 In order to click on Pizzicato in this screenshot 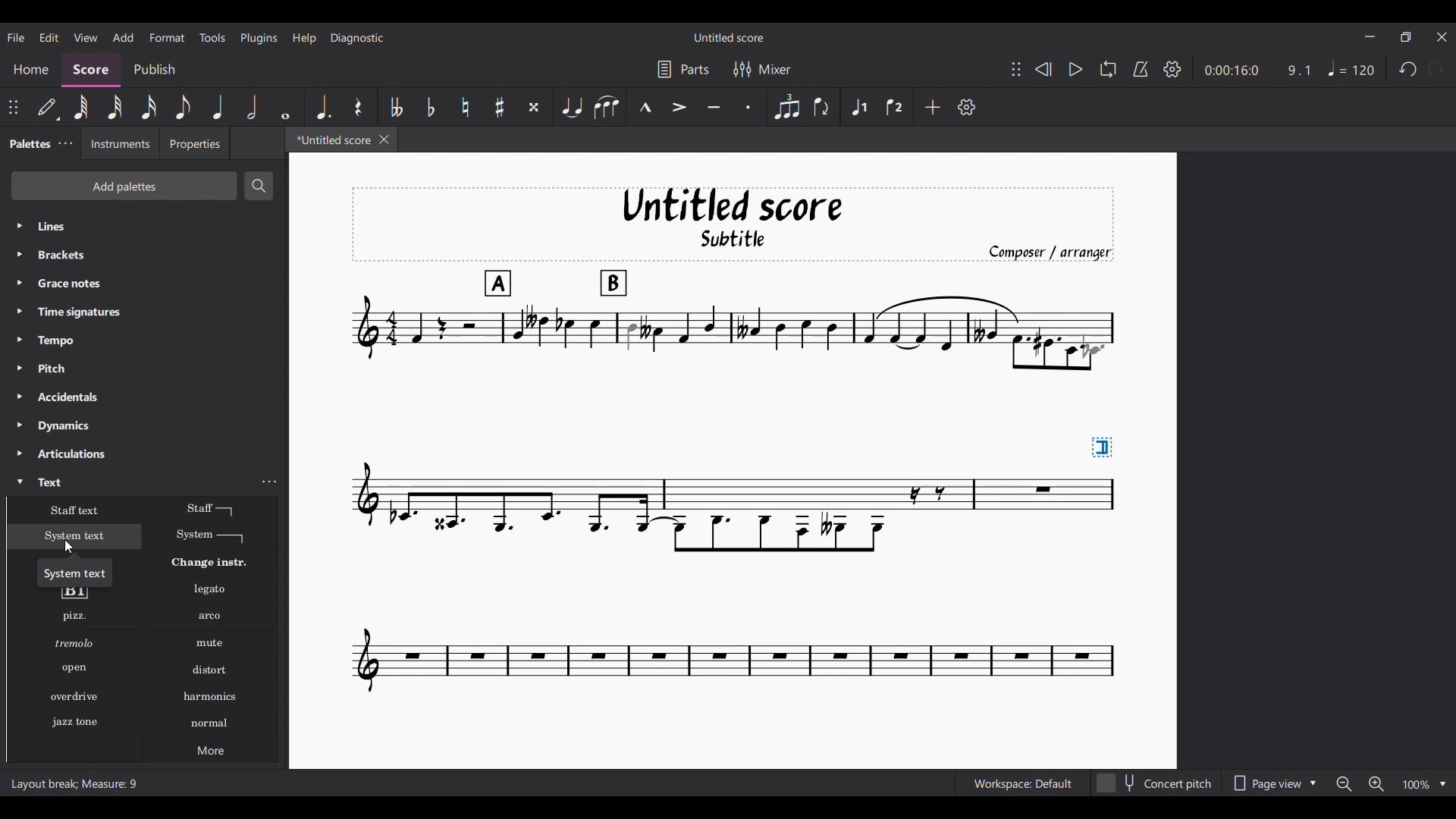, I will do `click(74, 616)`.